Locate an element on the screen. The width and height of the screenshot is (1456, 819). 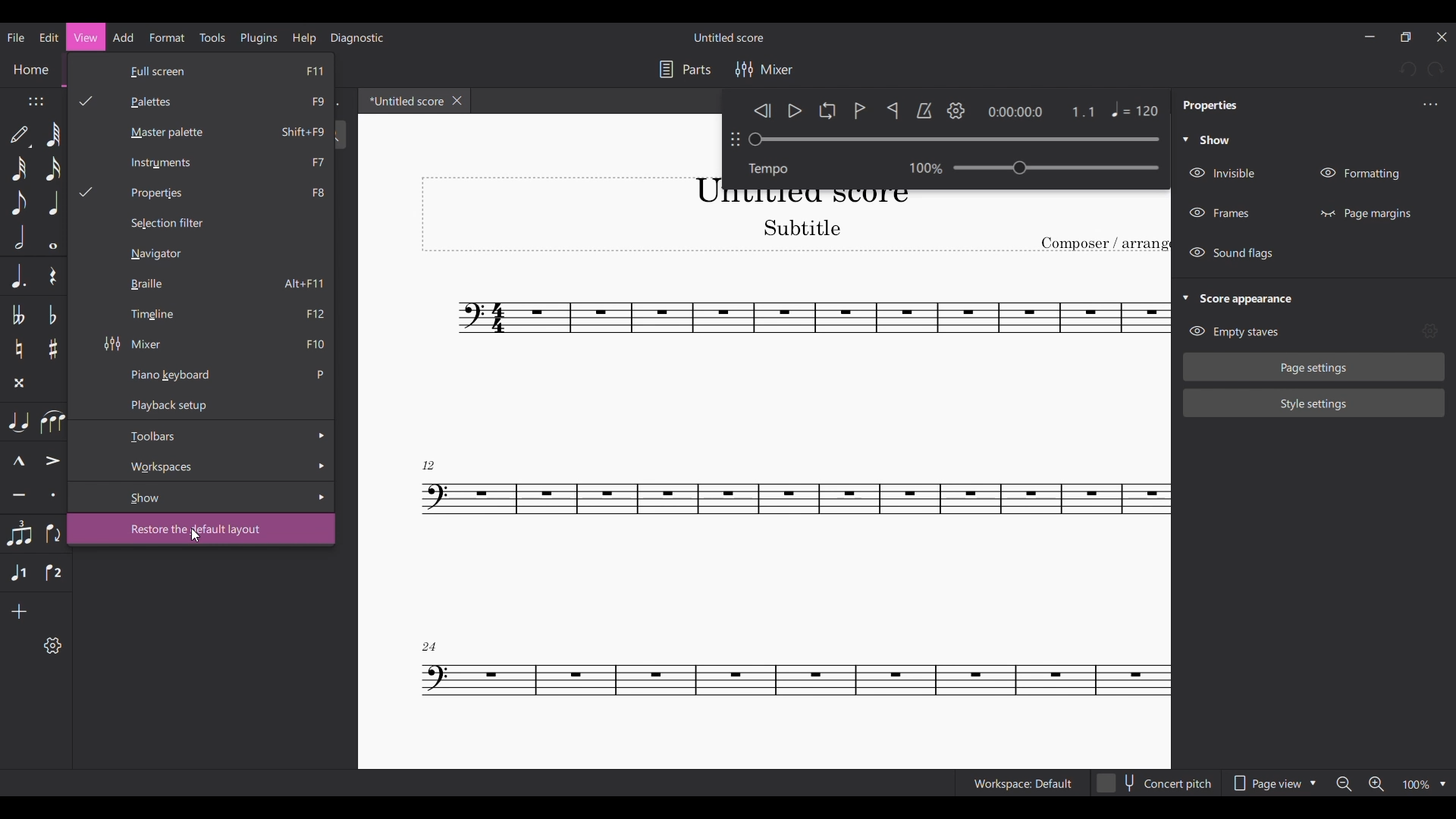
100% is located at coordinates (918, 166).